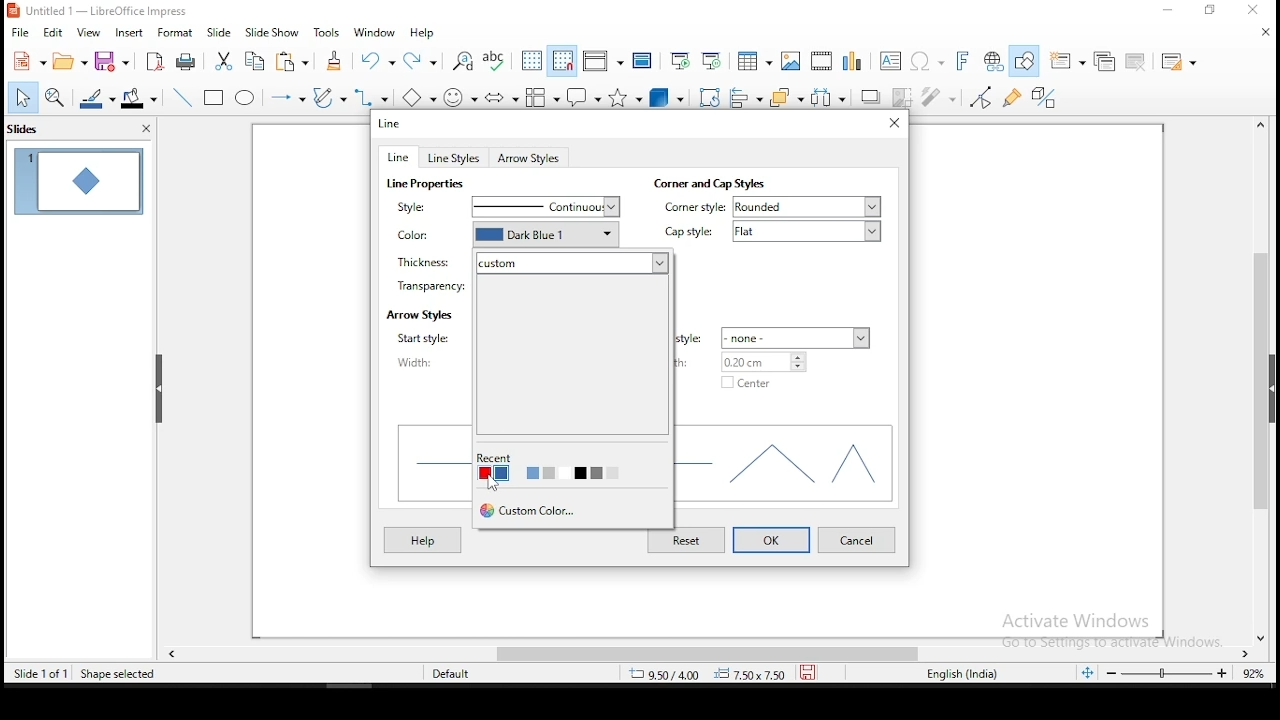 This screenshot has height=720, width=1280. I want to click on scroll right, so click(172, 651).